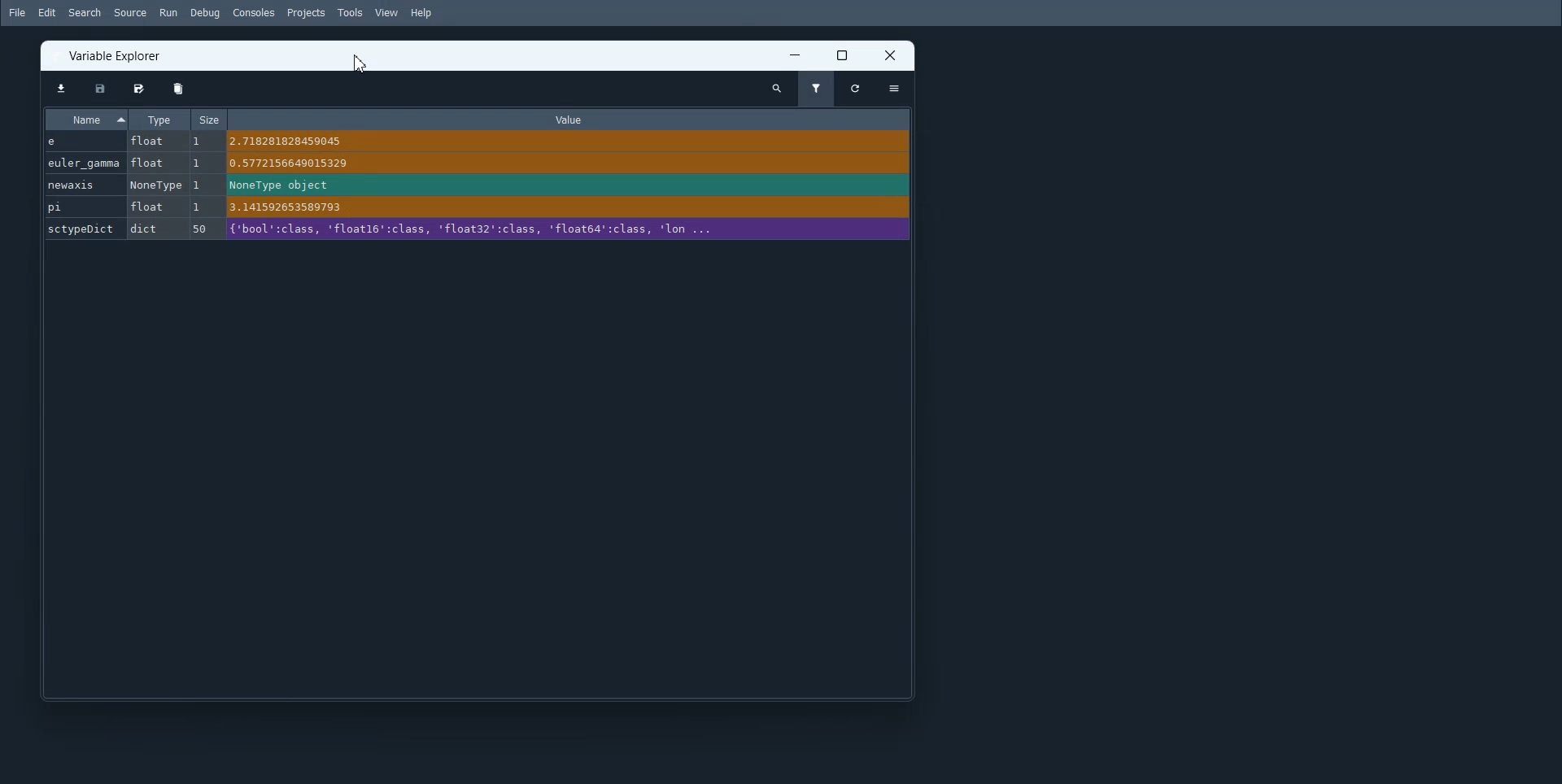  Describe the element at coordinates (83, 229) in the screenshot. I see `sctypeDict` at that location.